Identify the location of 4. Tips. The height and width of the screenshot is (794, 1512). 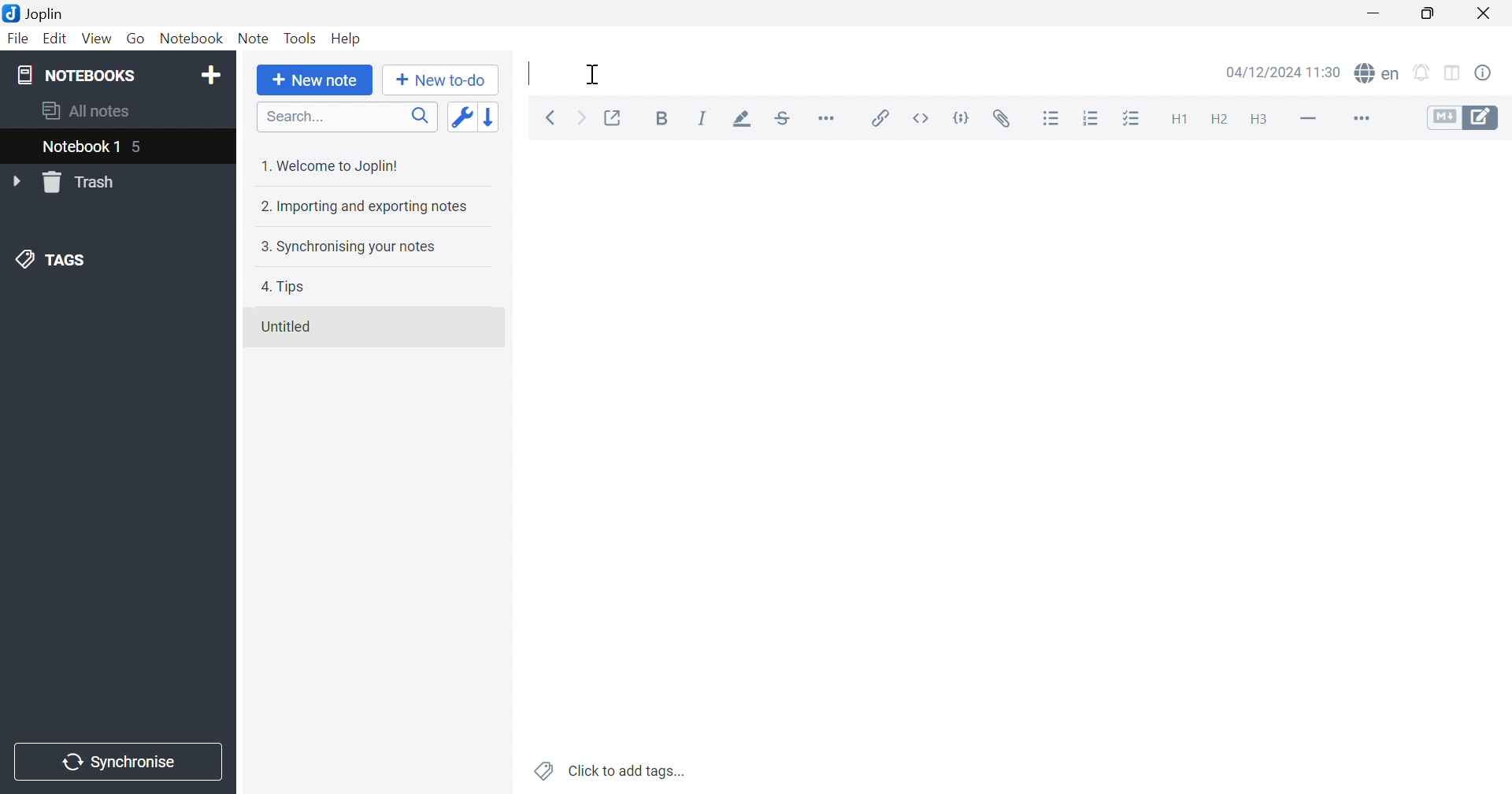
(283, 288).